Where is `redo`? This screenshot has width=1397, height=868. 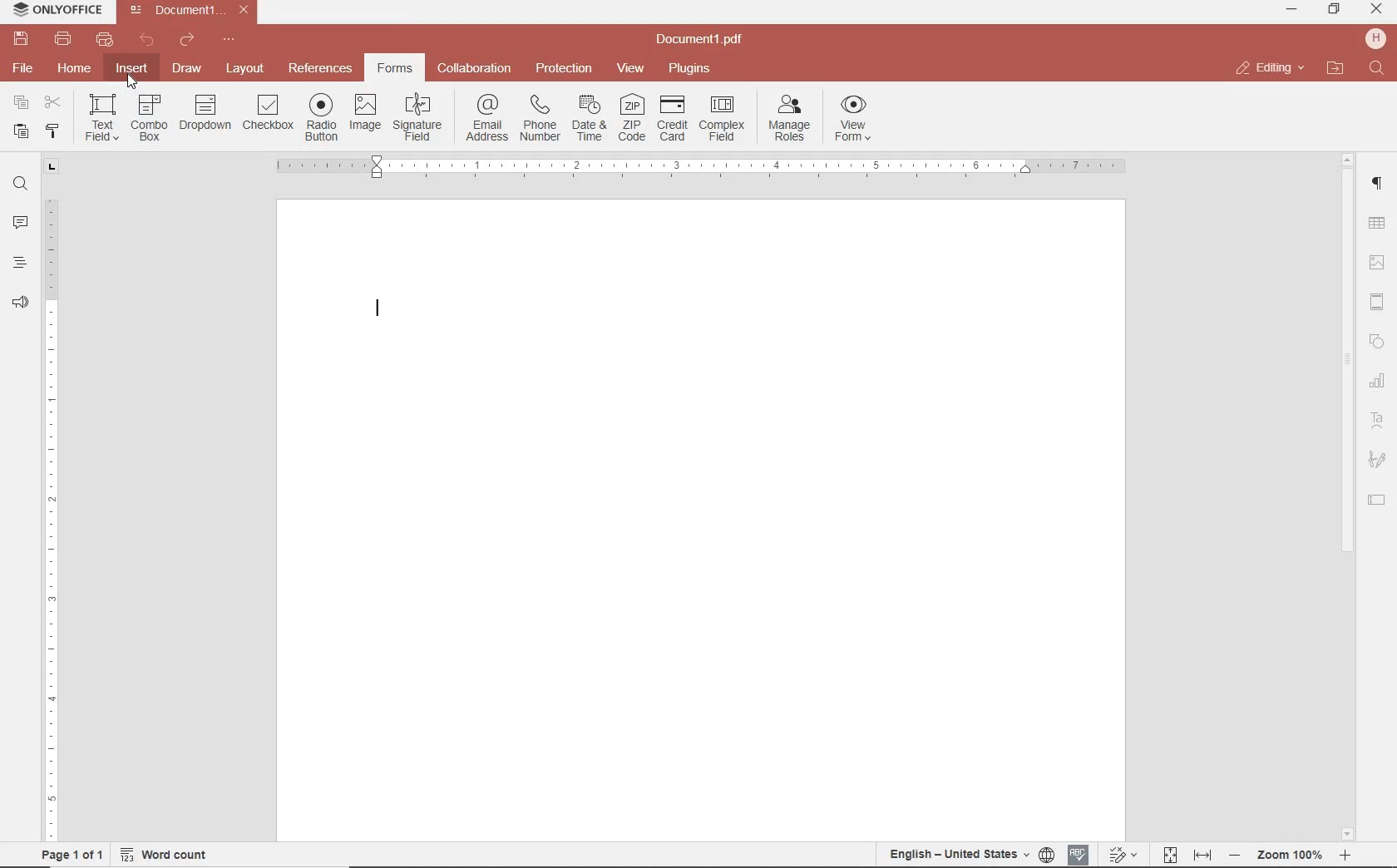
redo is located at coordinates (185, 42).